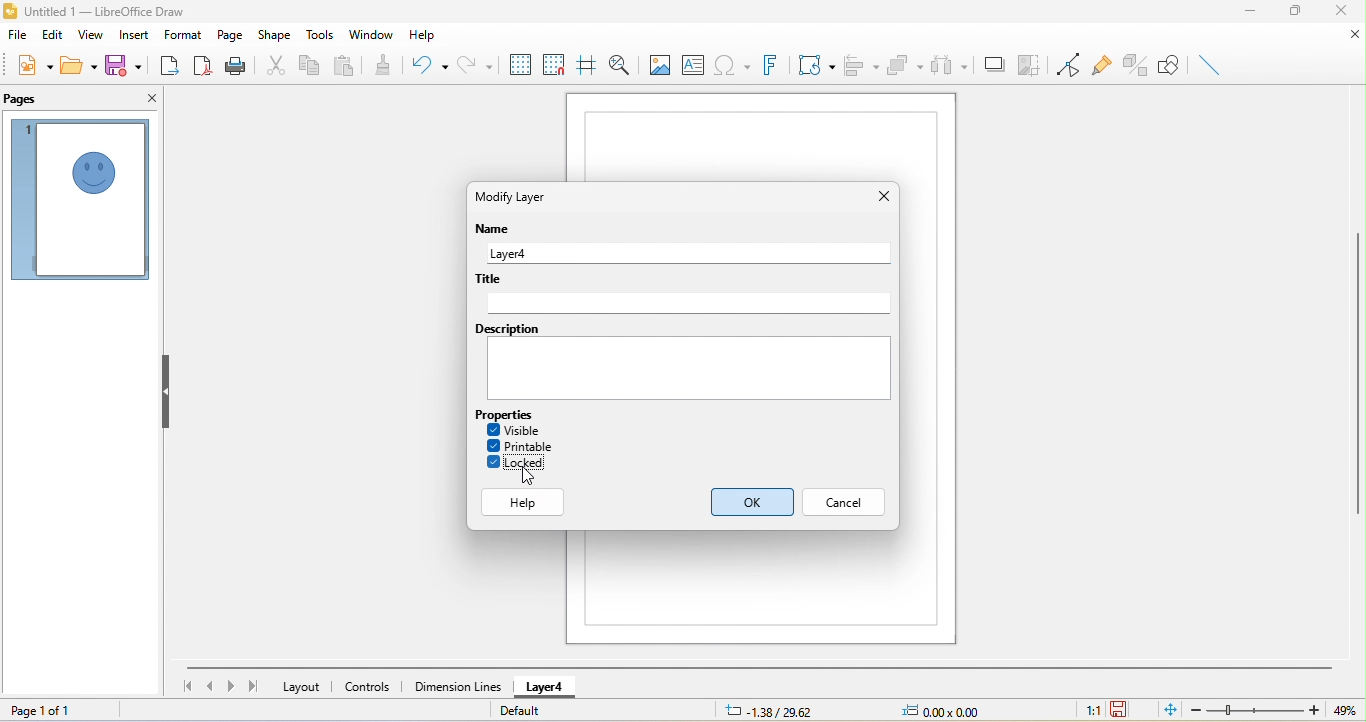 The image size is (1366, 722). Describe the element at coordinates (308, 66) in the screenshot. I see `copy` at that location.